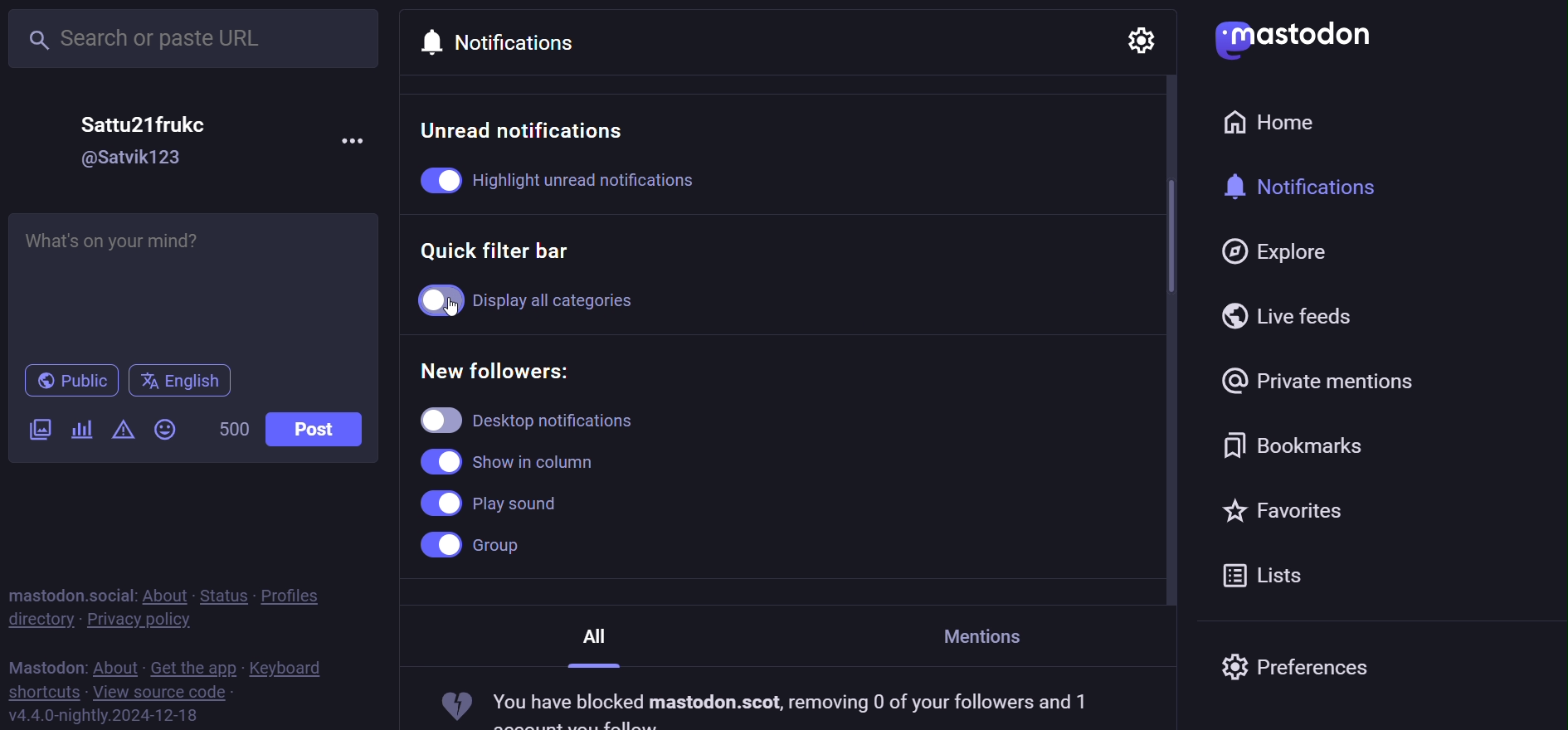 The height and width of the screenshot is (730, 1568). I want to click on shortcut, so click(42, 691).